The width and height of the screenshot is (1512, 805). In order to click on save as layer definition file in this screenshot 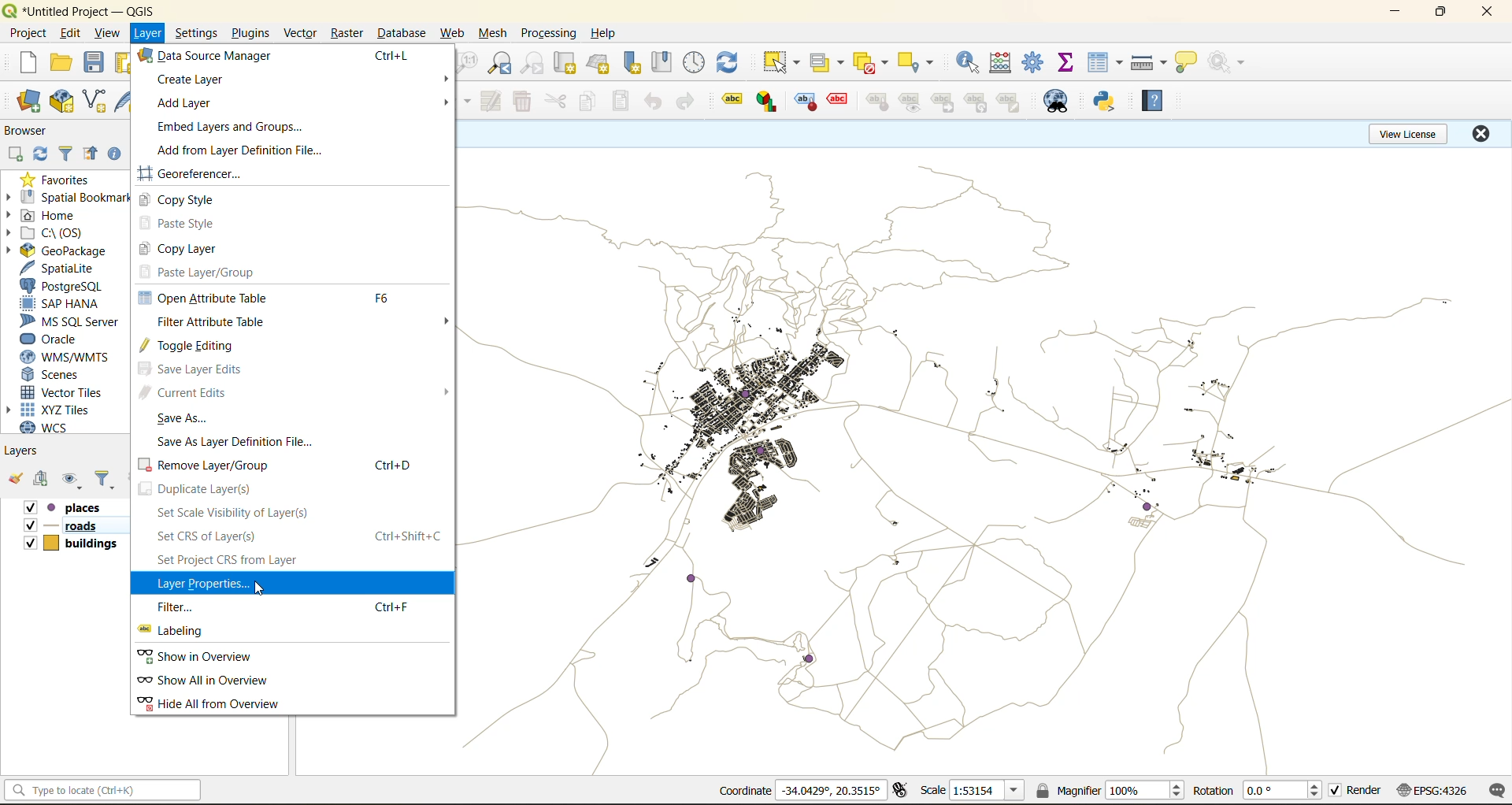, I will do `click(243, 442)`.